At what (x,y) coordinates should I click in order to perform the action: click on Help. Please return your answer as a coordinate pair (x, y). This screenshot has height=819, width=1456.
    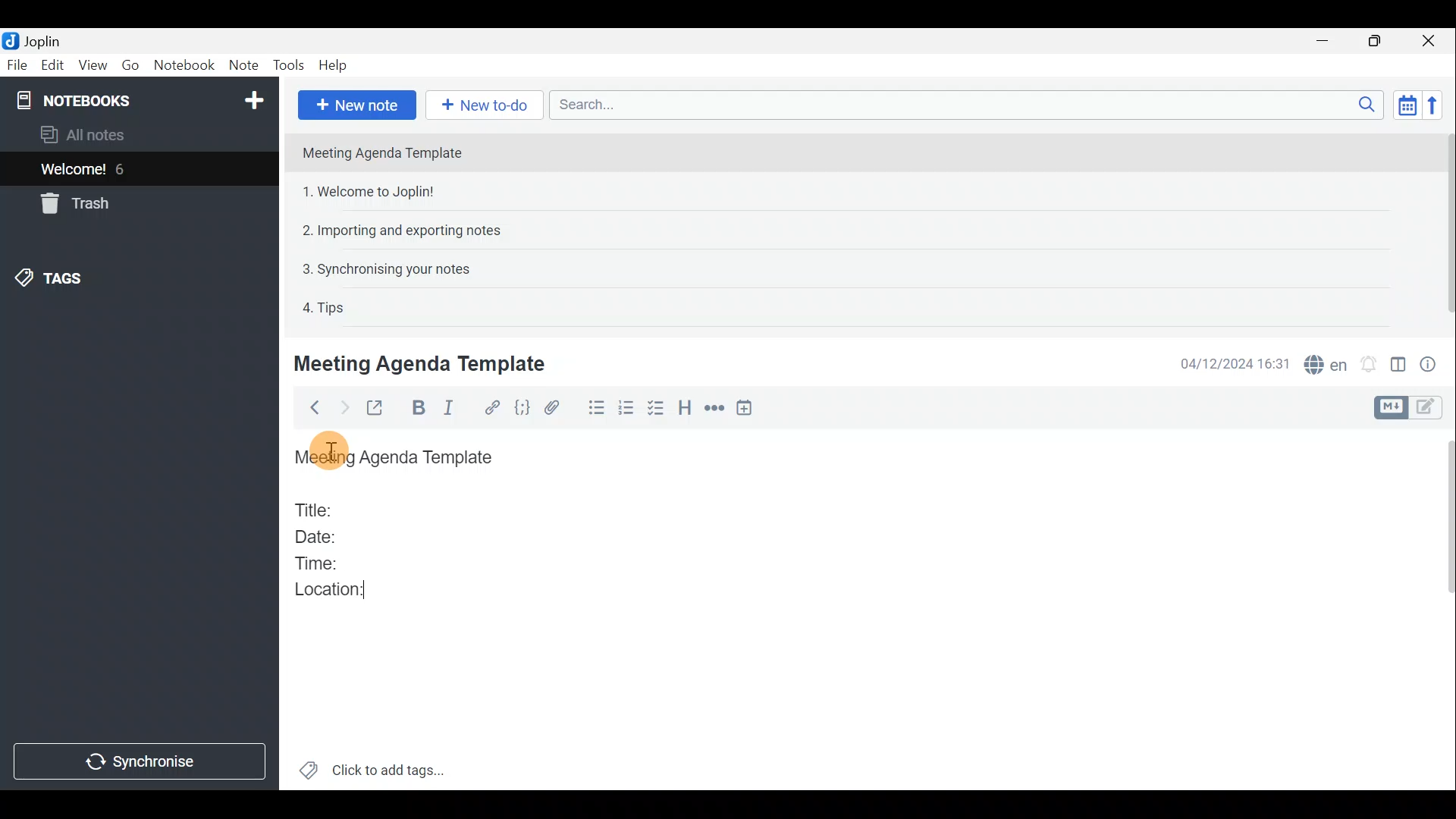
    Looking at the image, I should click on (336, 65).